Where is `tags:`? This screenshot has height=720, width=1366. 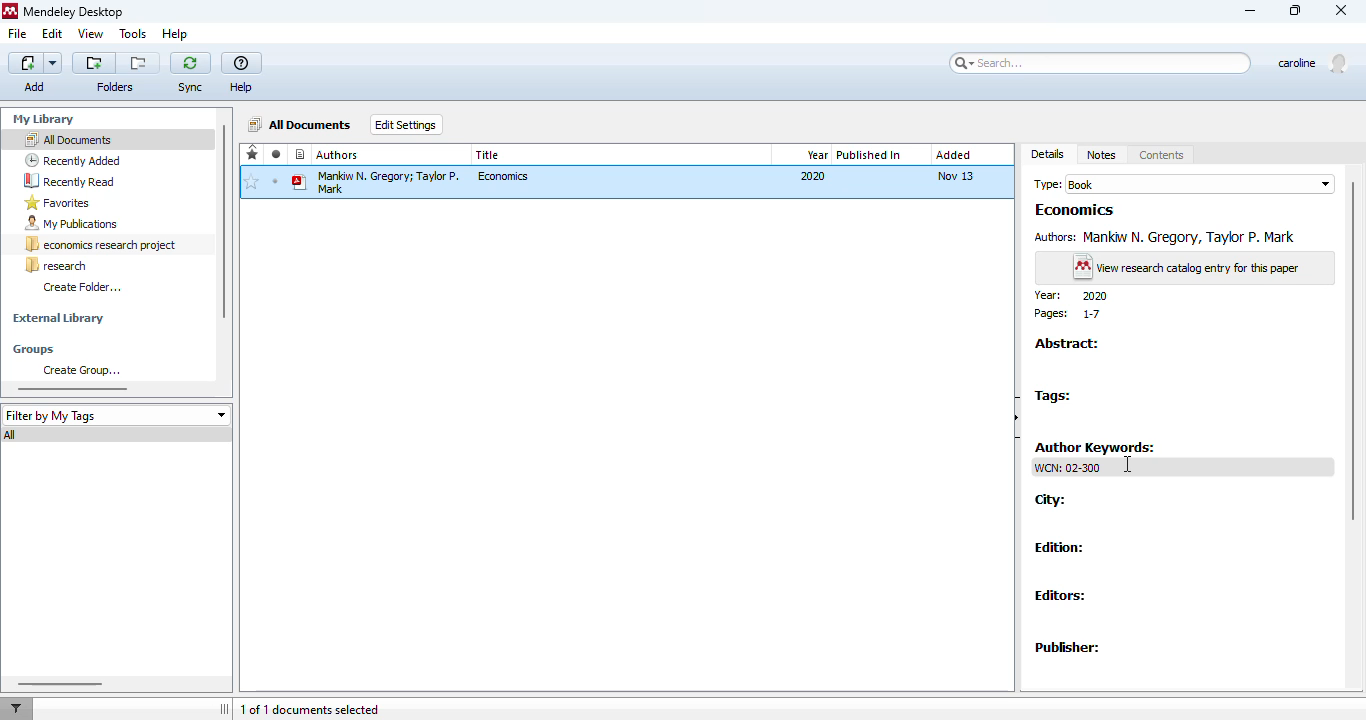
tags: is located at coordinates (1053, 395).